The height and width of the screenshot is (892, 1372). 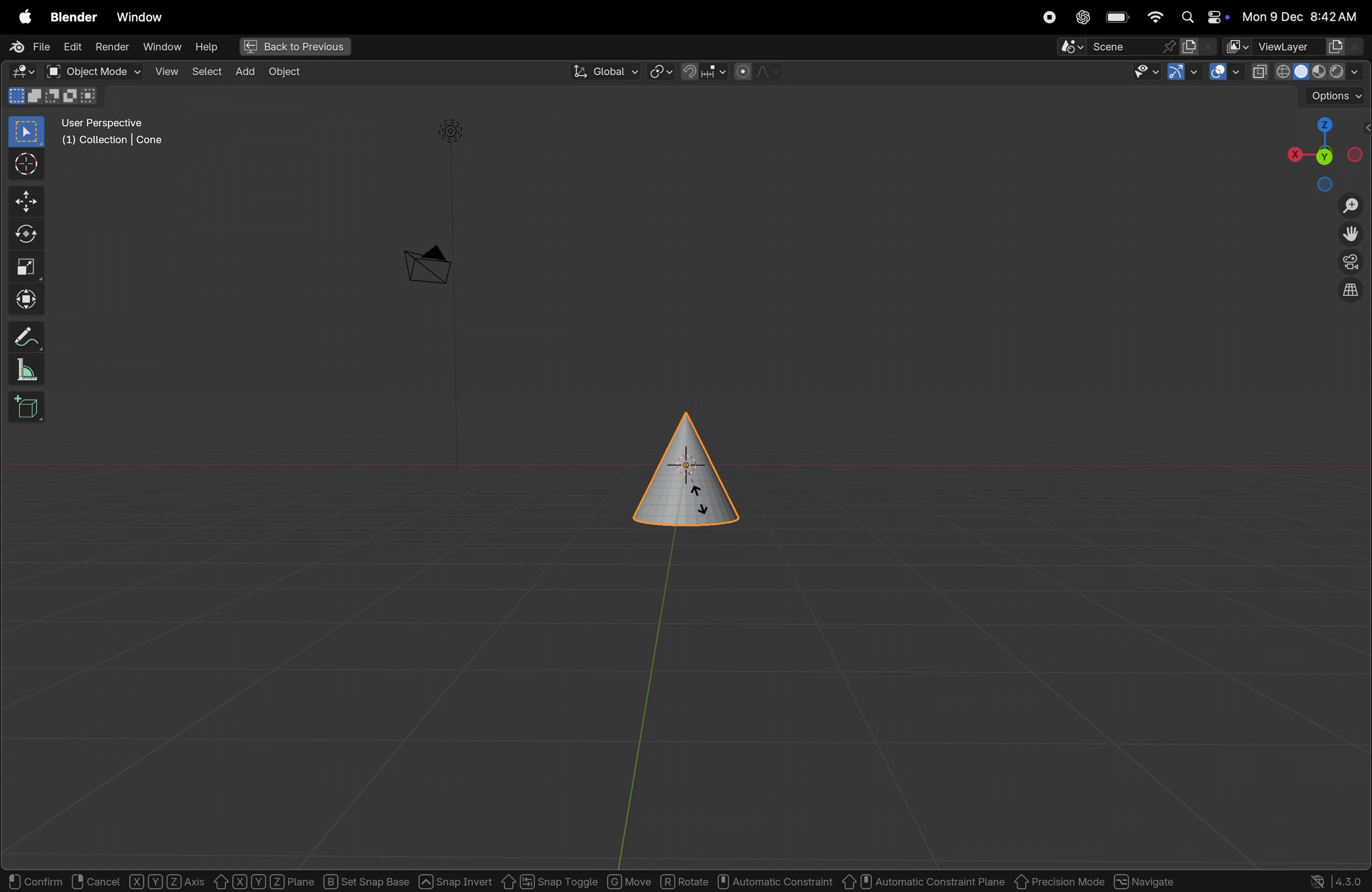 I want to click on File, so click(x=29, y=46).